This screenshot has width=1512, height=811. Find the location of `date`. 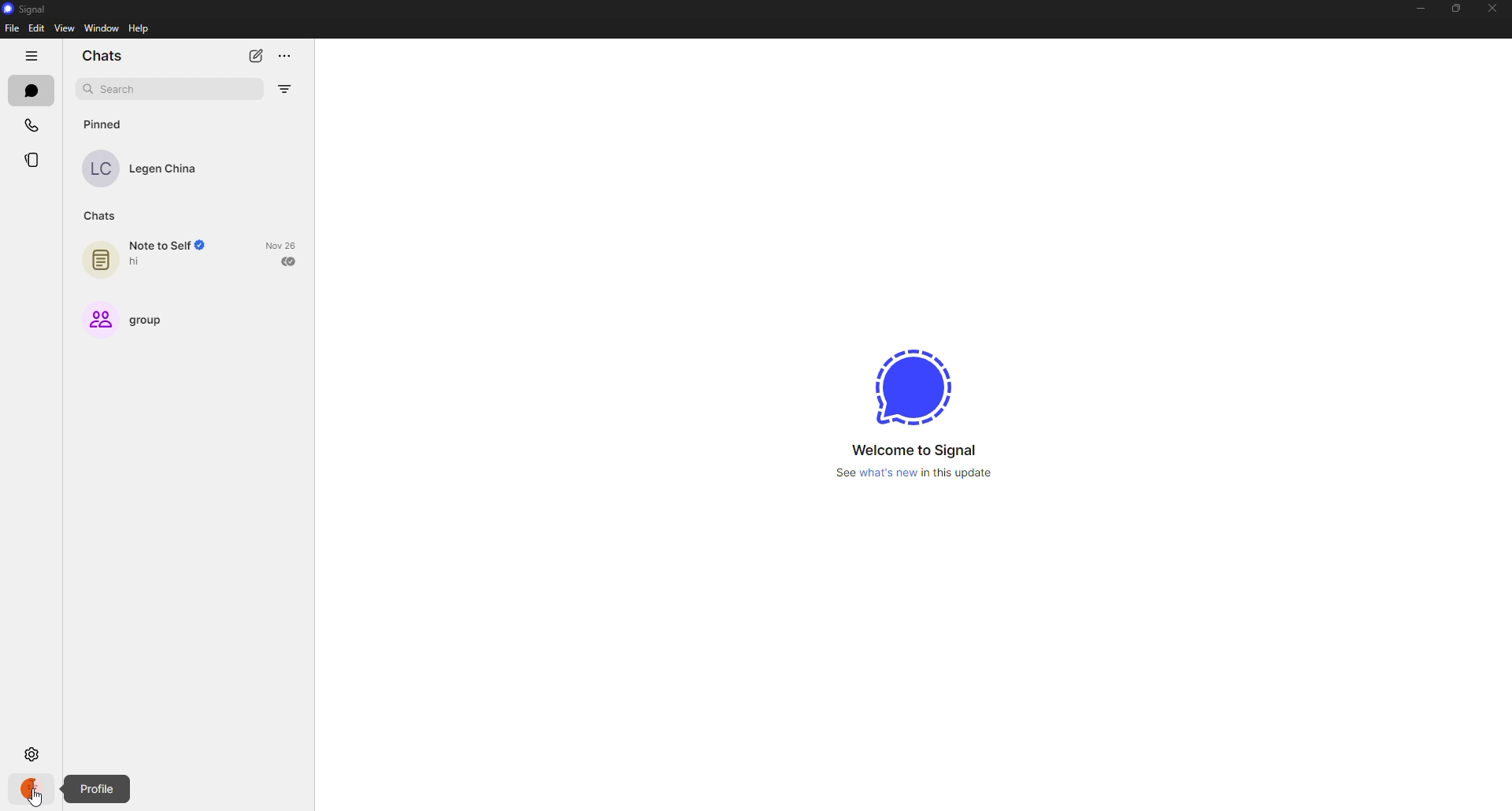

date is located at coordinates (280, 245).